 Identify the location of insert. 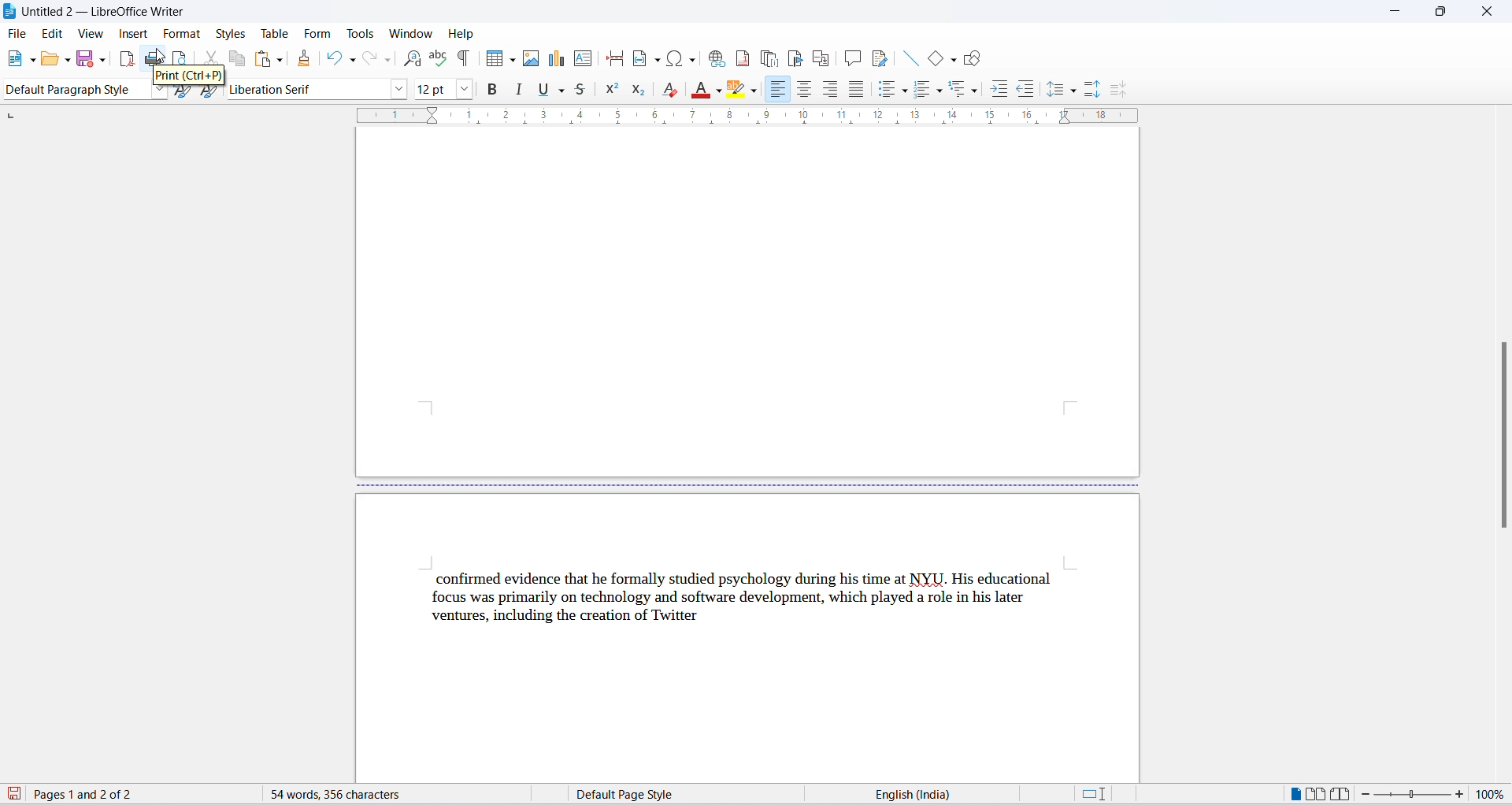
(131, 35).